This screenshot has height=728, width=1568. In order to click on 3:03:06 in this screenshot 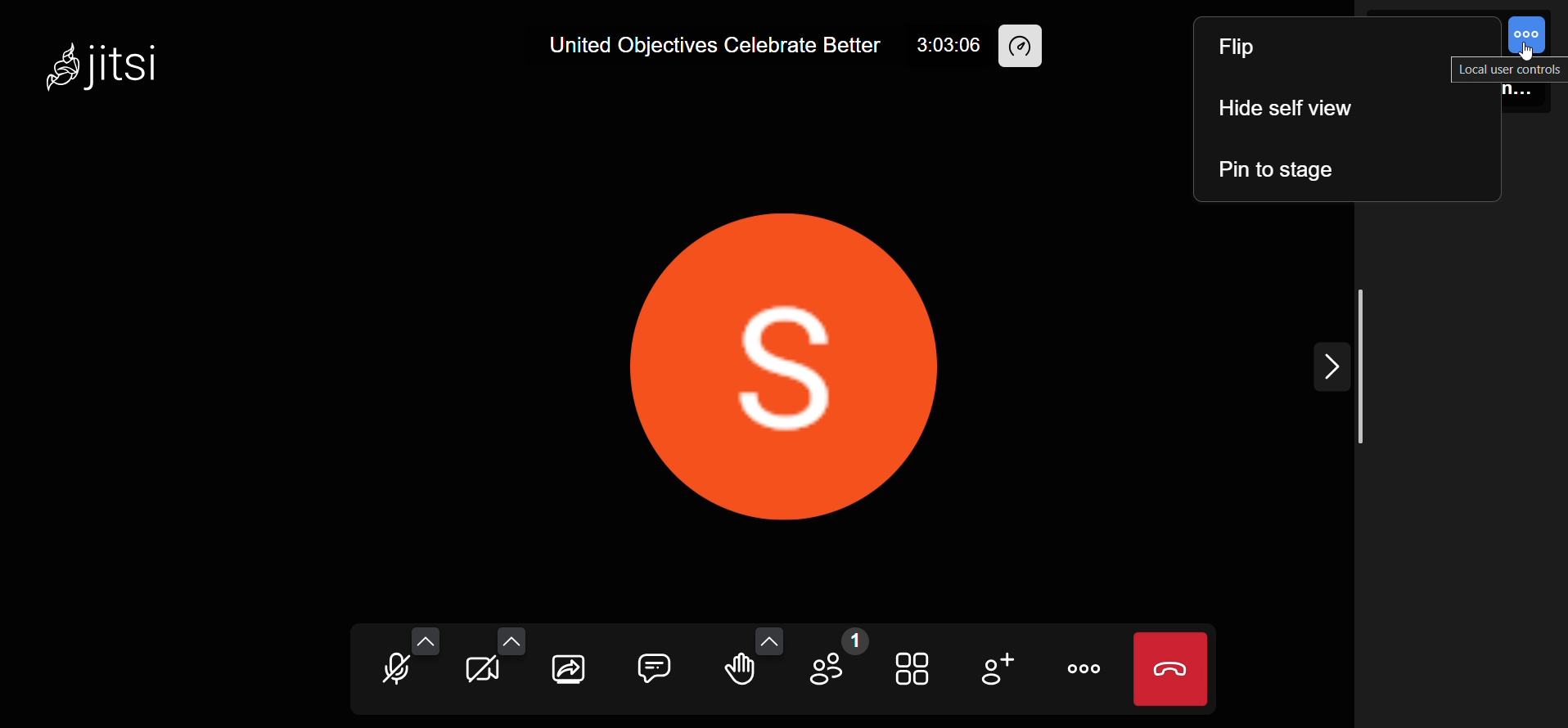, I will do `click(947, 43)`.